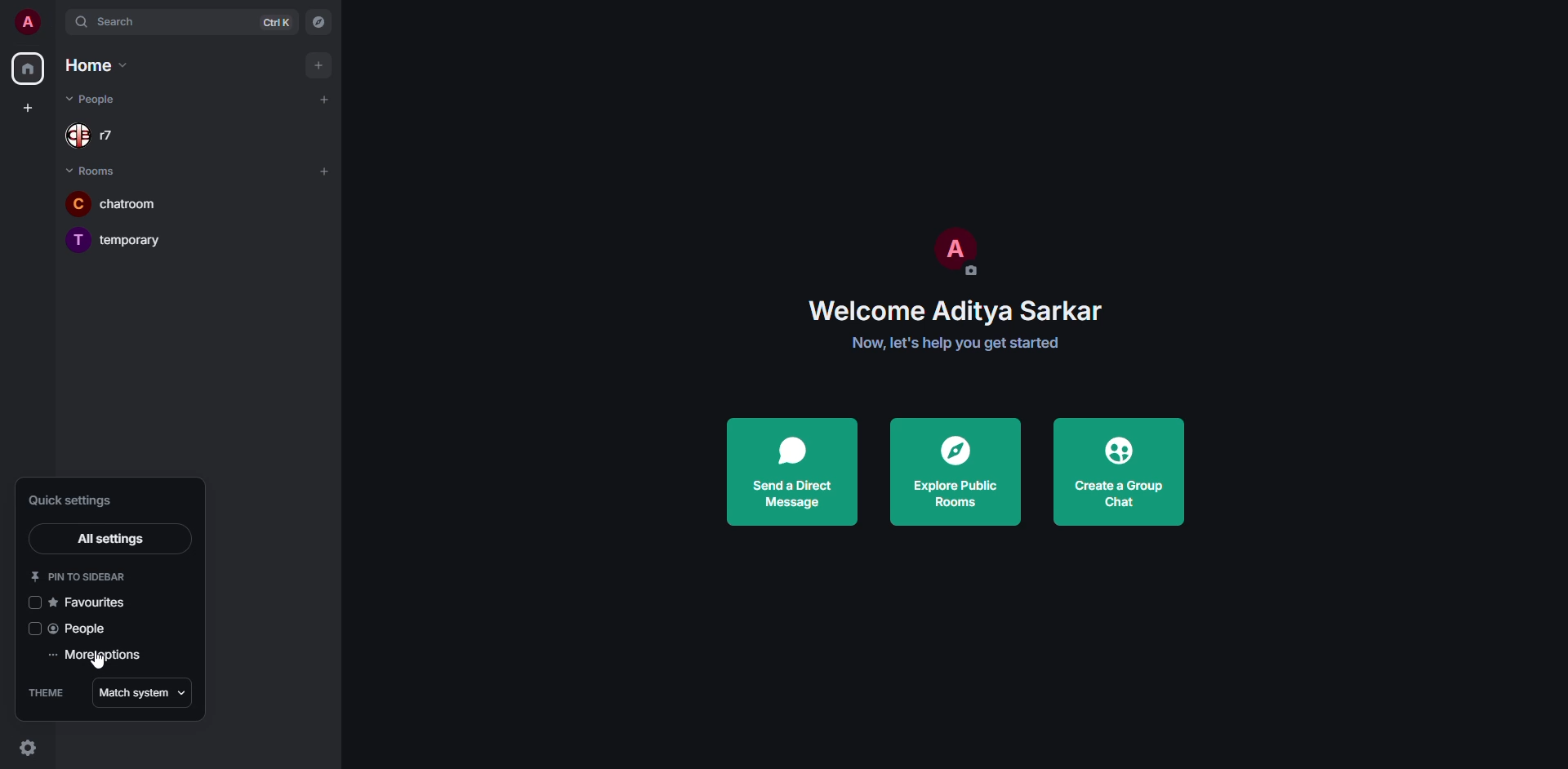 The image size is (1568, 769). Describe the element at coordinates (140, 692) in the screenshot. I see `match system` at that location.